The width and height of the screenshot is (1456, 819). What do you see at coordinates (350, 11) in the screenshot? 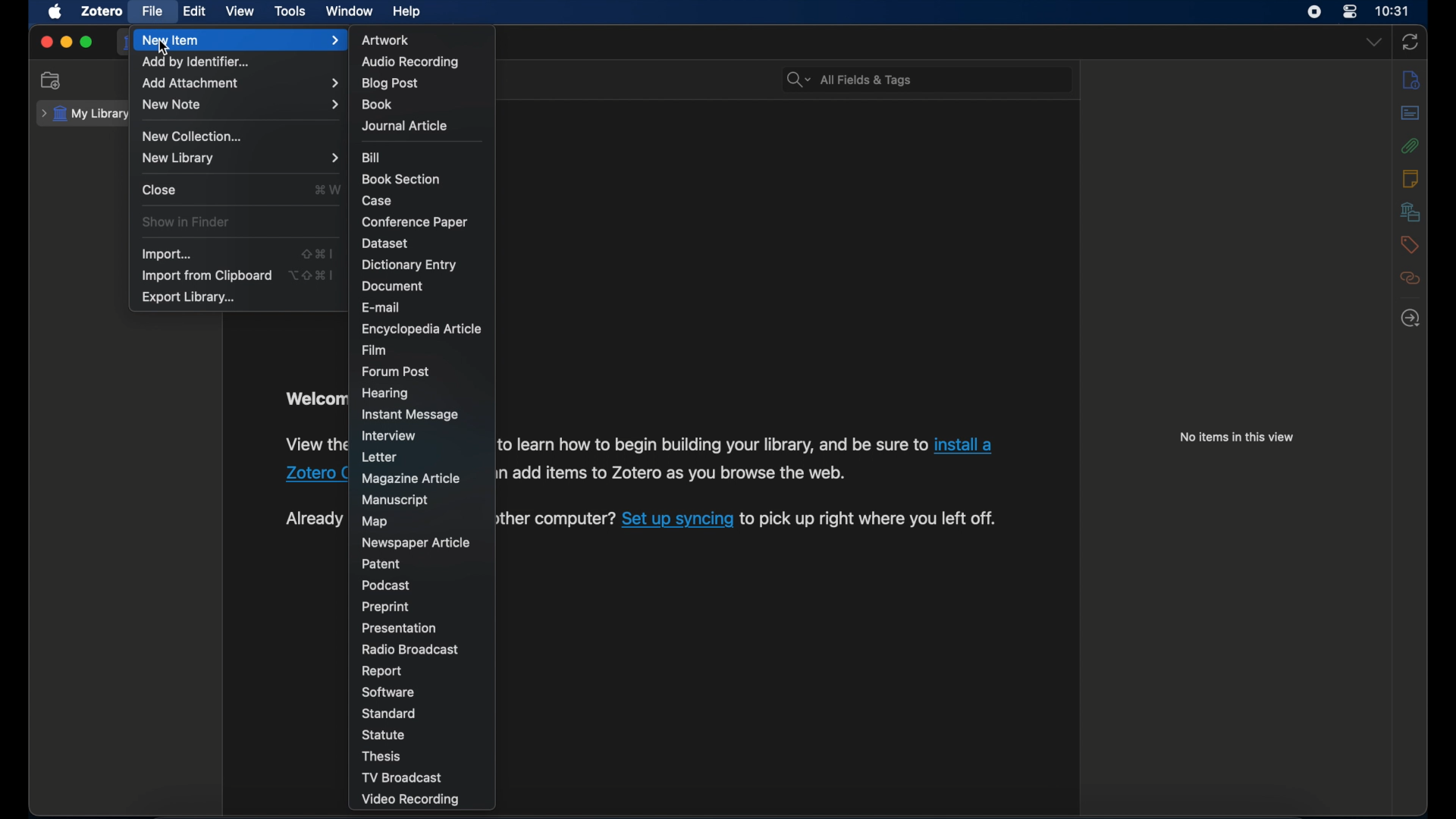
I see `window` at bounding box center [350, 11].